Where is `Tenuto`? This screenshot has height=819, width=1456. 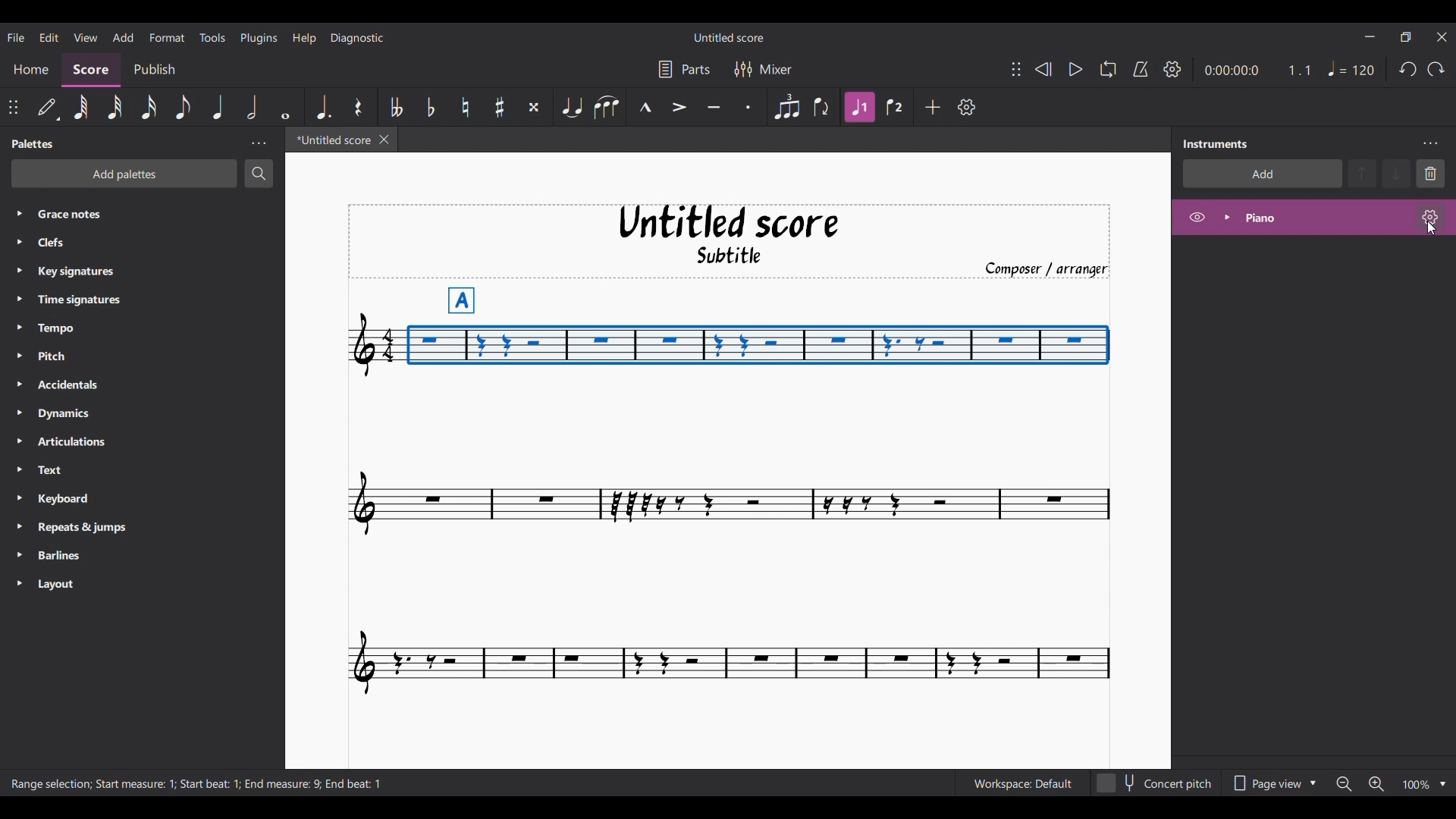
Tenuto is located at coordinates (714, 106).